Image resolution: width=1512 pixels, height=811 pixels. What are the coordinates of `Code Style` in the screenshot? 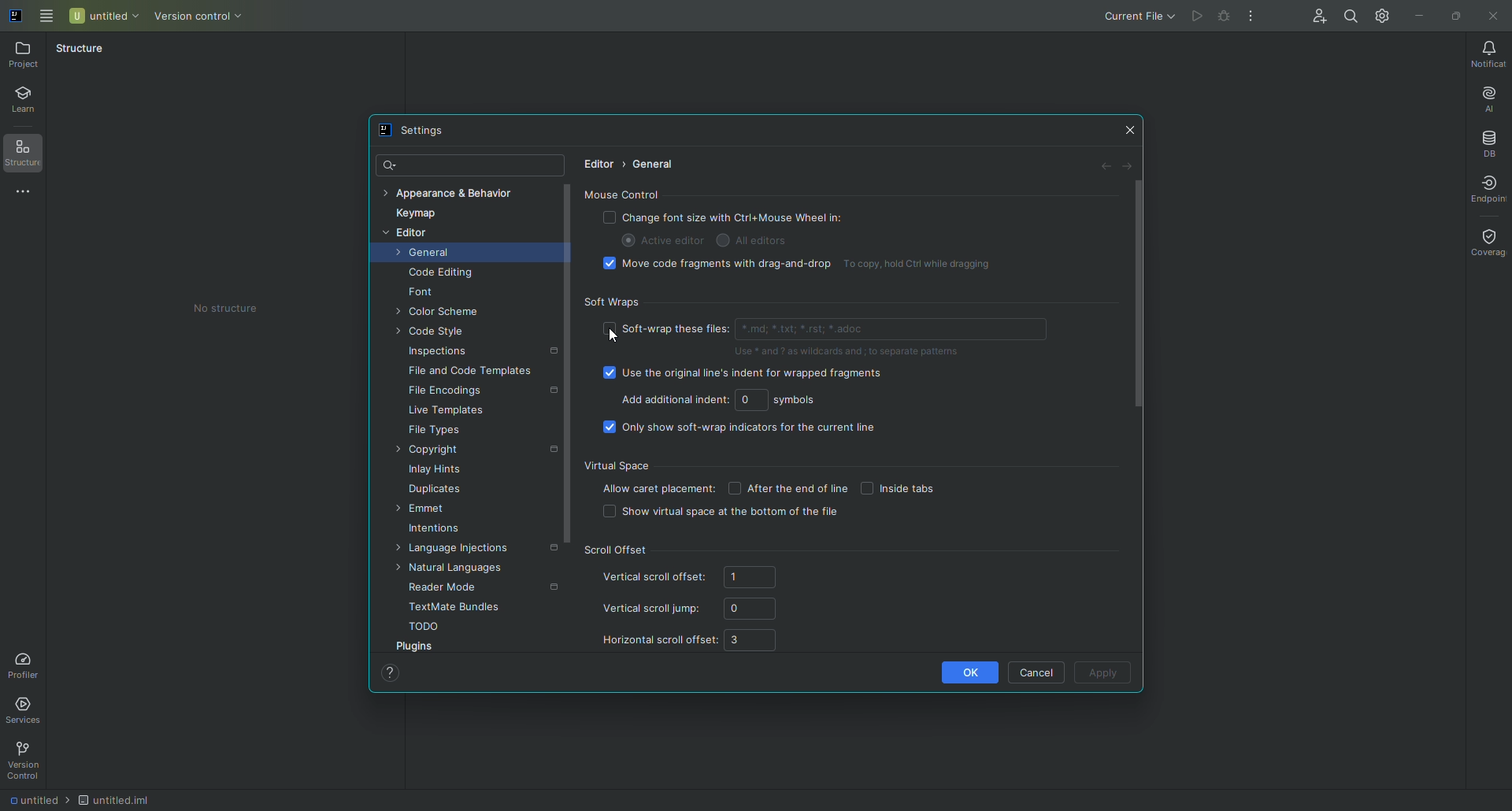 It's located at (435, 333).